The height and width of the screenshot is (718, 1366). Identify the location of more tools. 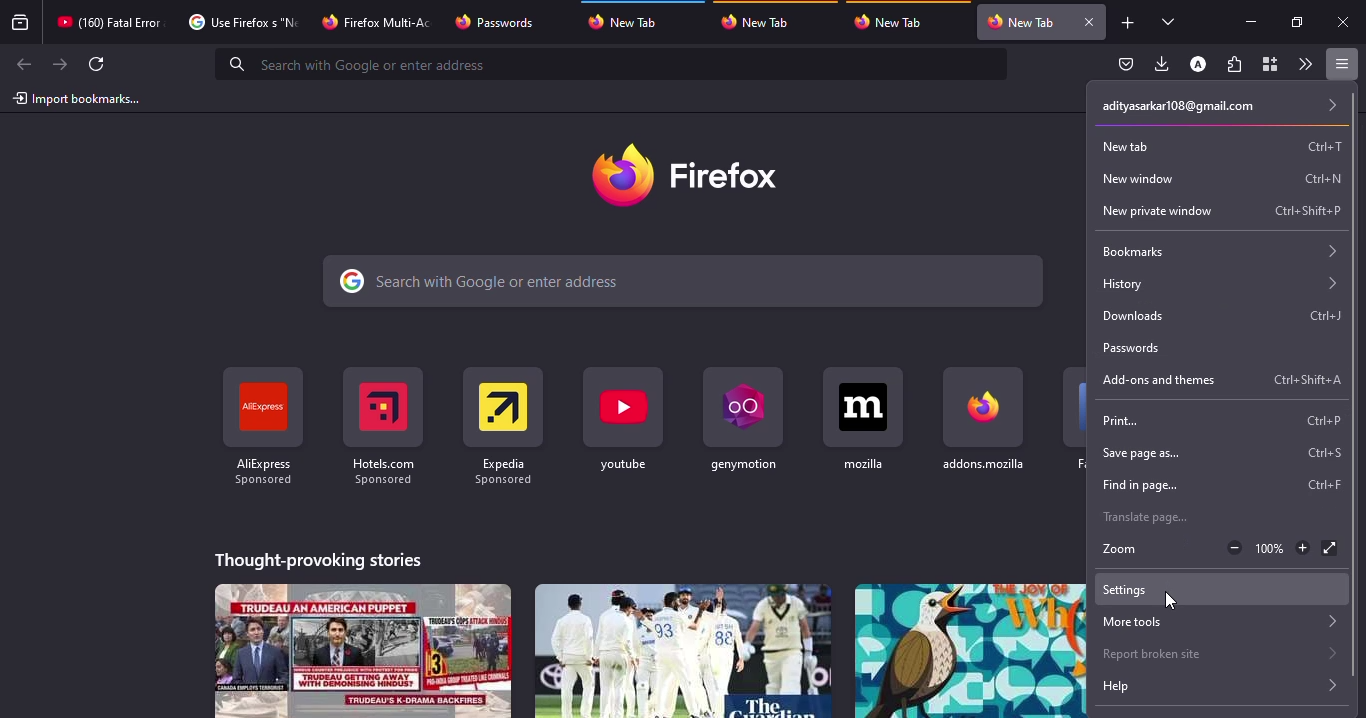
(1218, 622).